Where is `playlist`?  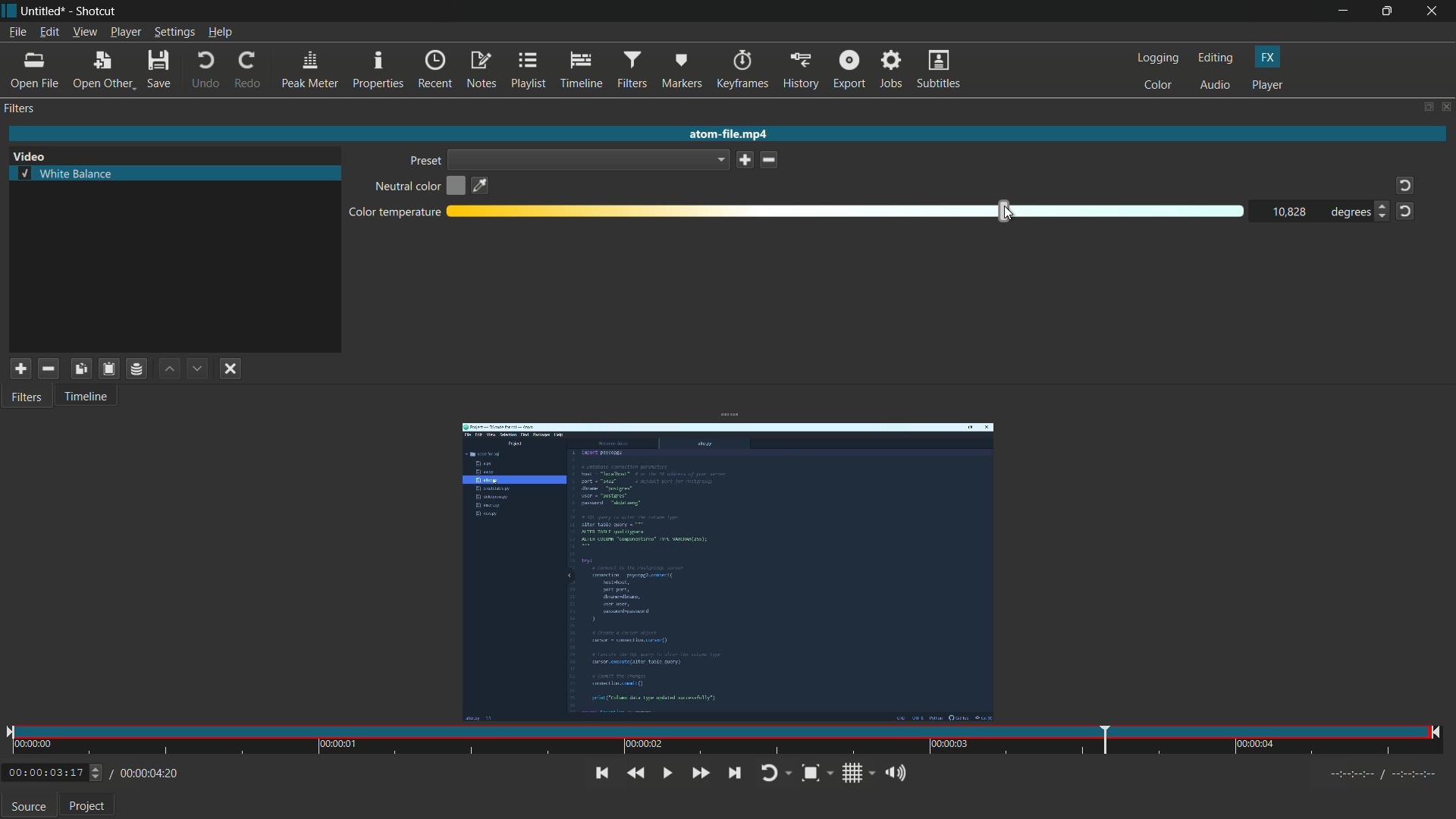
playlist is located at coordinates (527, 71).